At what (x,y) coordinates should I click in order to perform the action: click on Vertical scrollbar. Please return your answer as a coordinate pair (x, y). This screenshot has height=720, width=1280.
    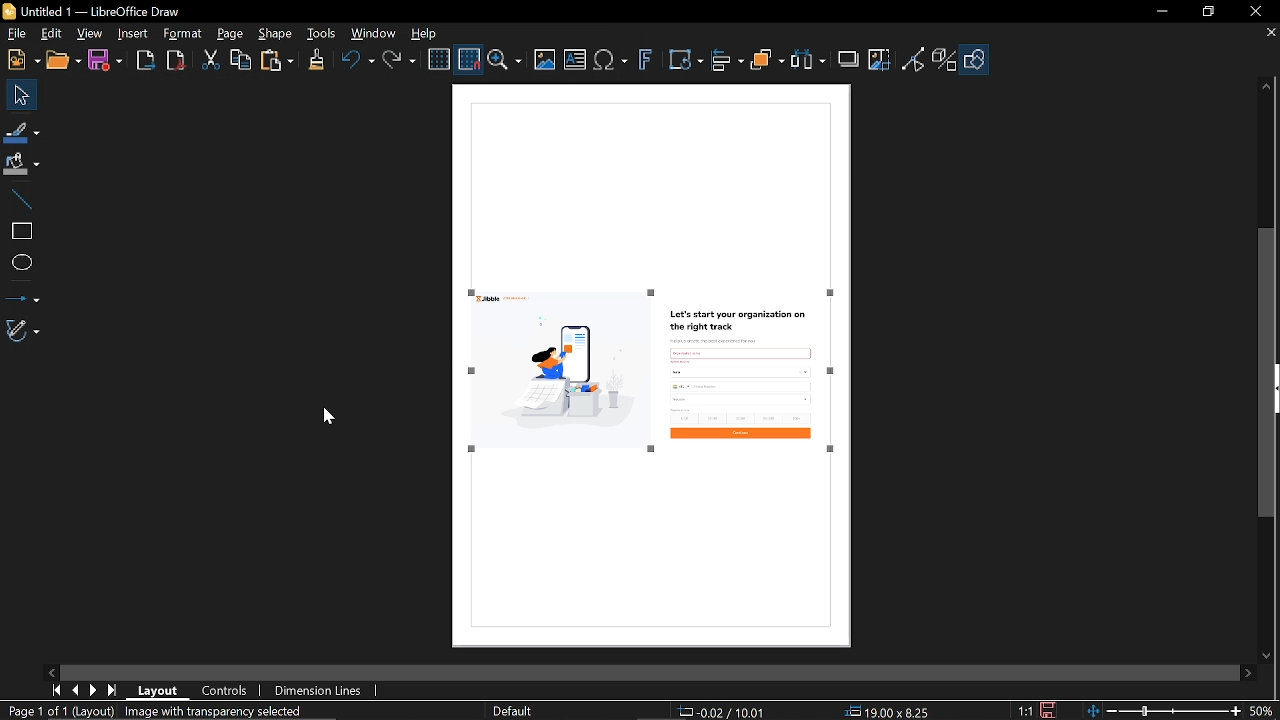
    Looking at the image, I should click on (1268, 373).